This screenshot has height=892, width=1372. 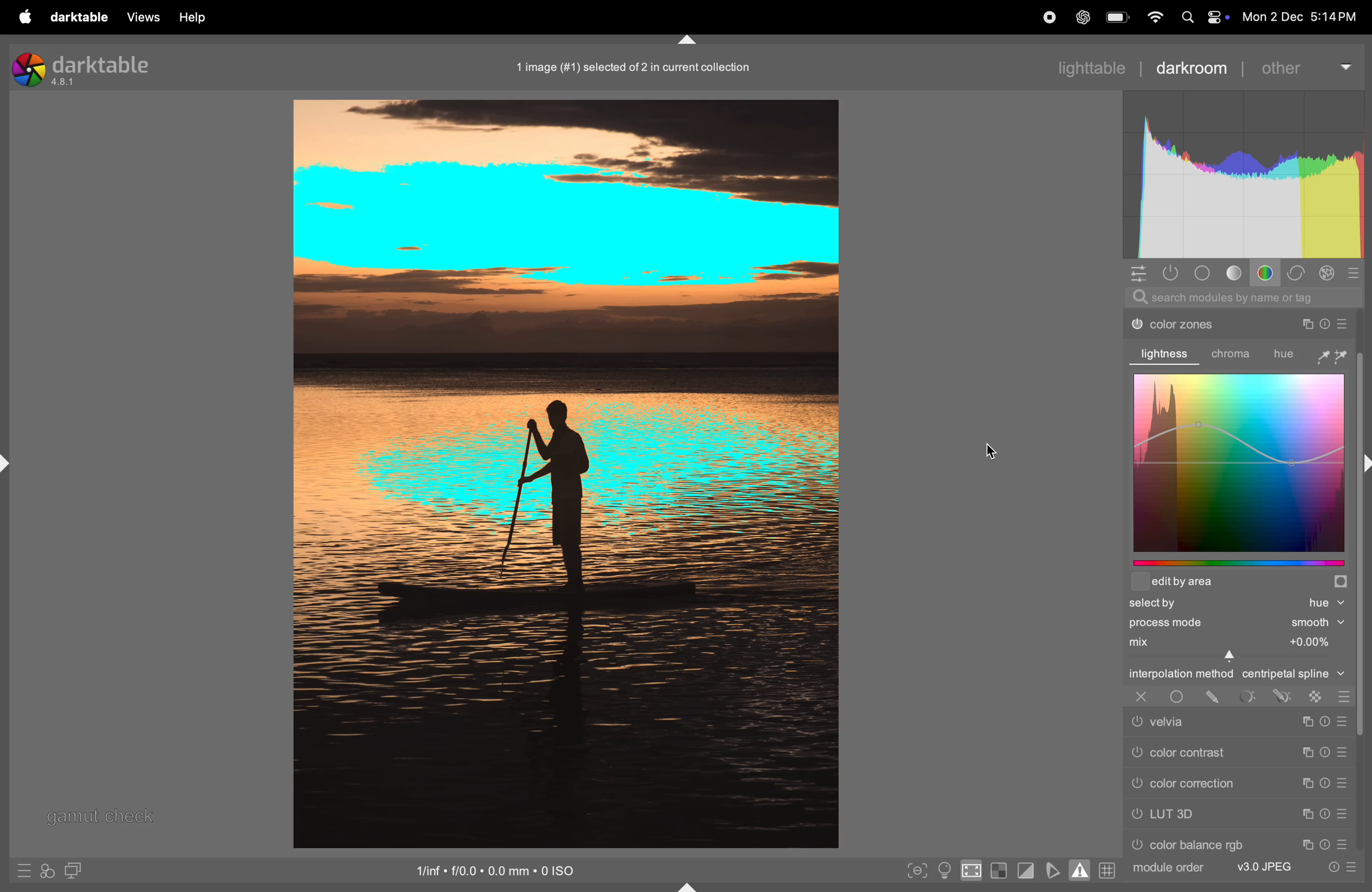 What do you see at coordinates (1238, 604) in the screenshot?
I see `selected hue` at bounding box center [1238, 604].